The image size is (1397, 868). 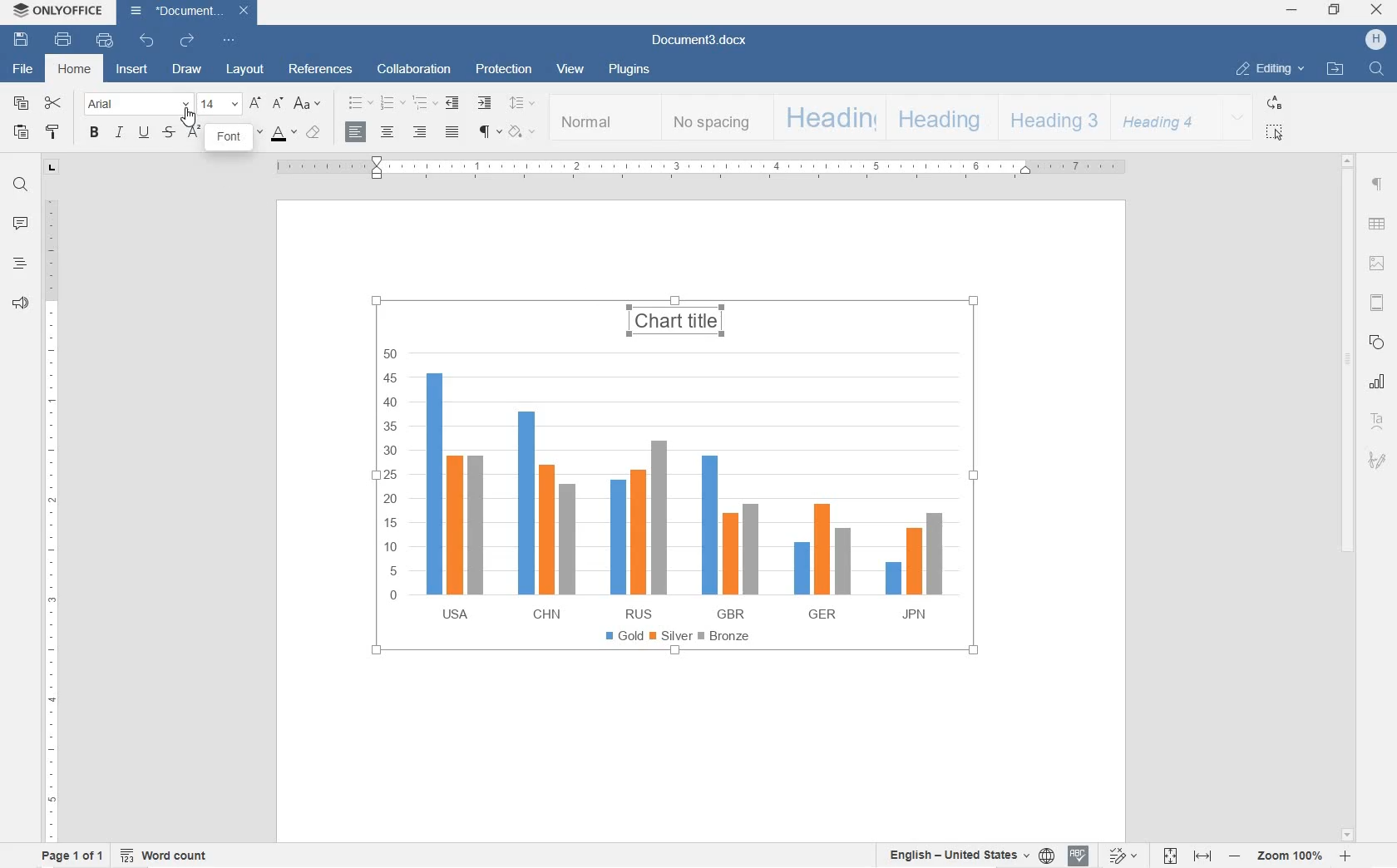 I want to click on FONT, so click(x=230, y=138).